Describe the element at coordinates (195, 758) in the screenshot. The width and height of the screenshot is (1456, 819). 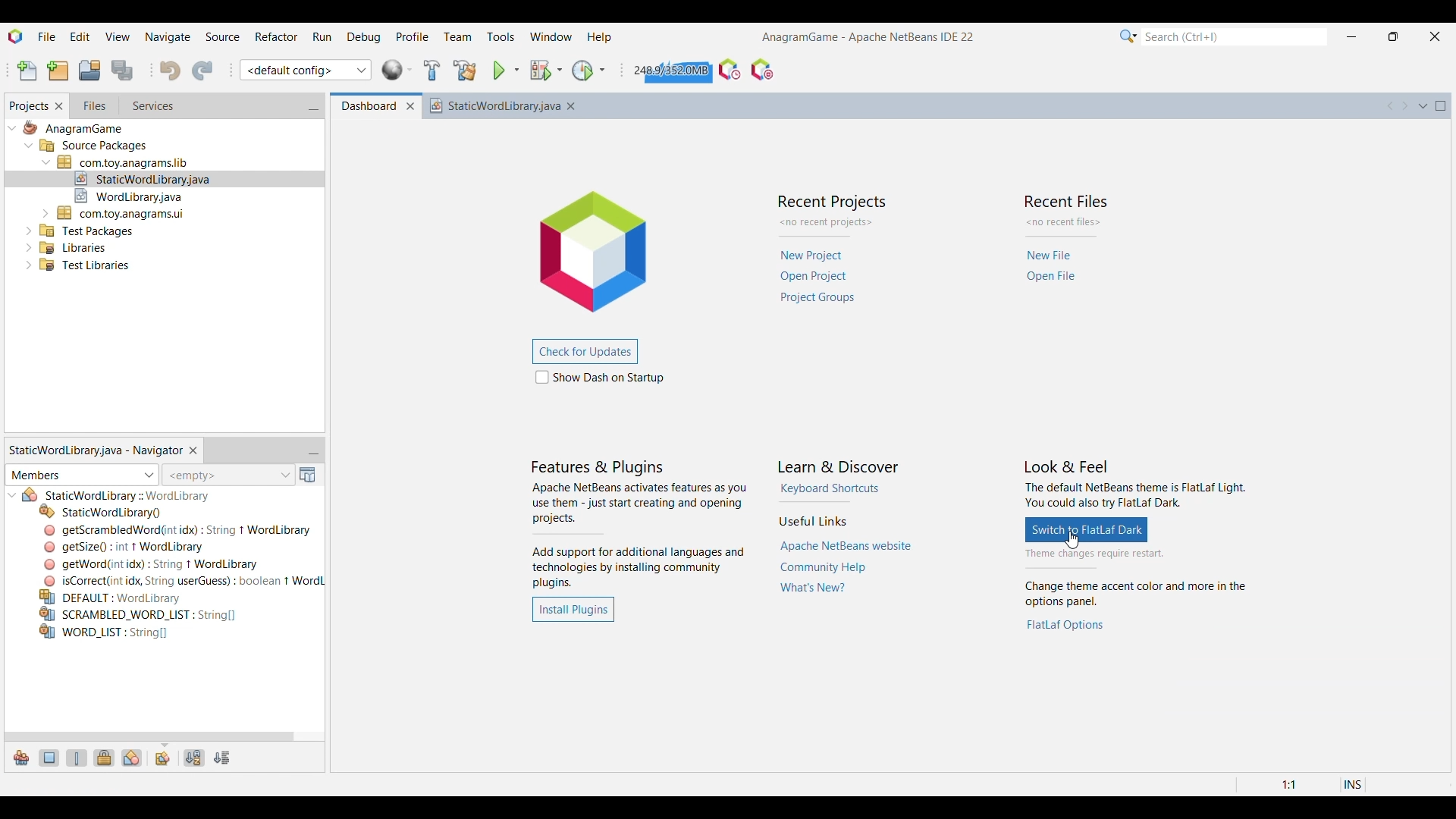
I see `Sort by name` at that location.